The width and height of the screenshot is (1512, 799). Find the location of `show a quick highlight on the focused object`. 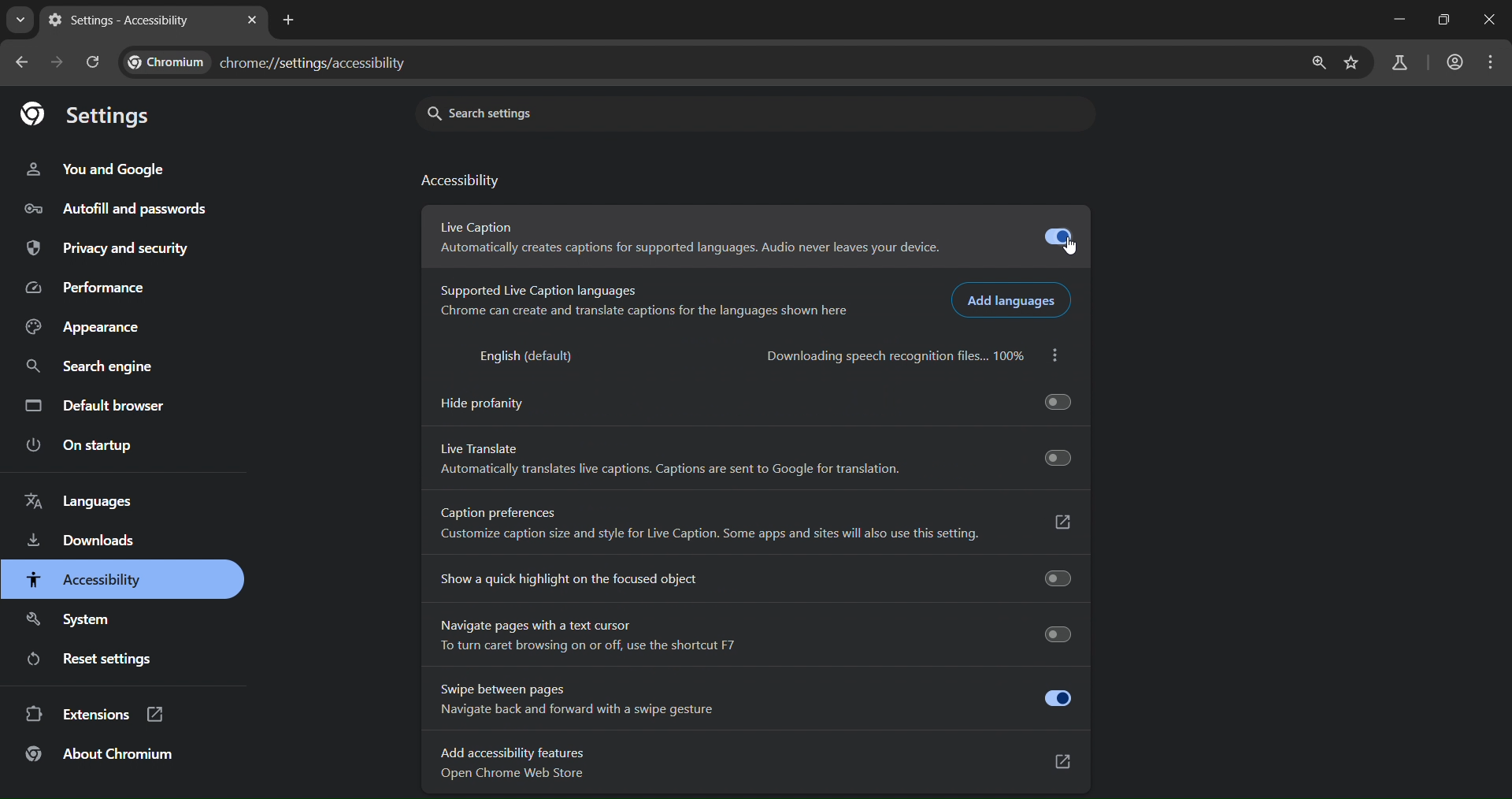

show a quick highlight on the focused object is located at coordinates (757, 576).